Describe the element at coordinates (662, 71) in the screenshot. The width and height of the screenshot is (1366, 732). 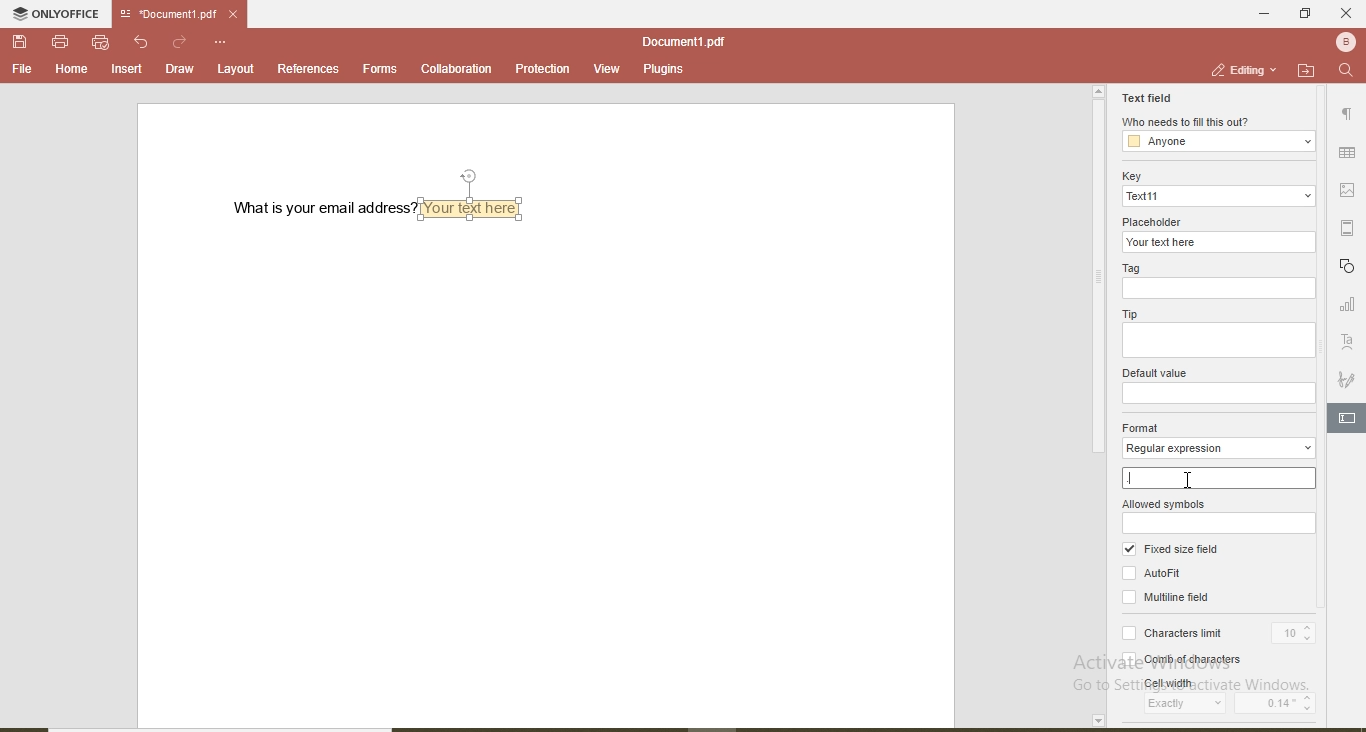
I see `plugins` at that location.